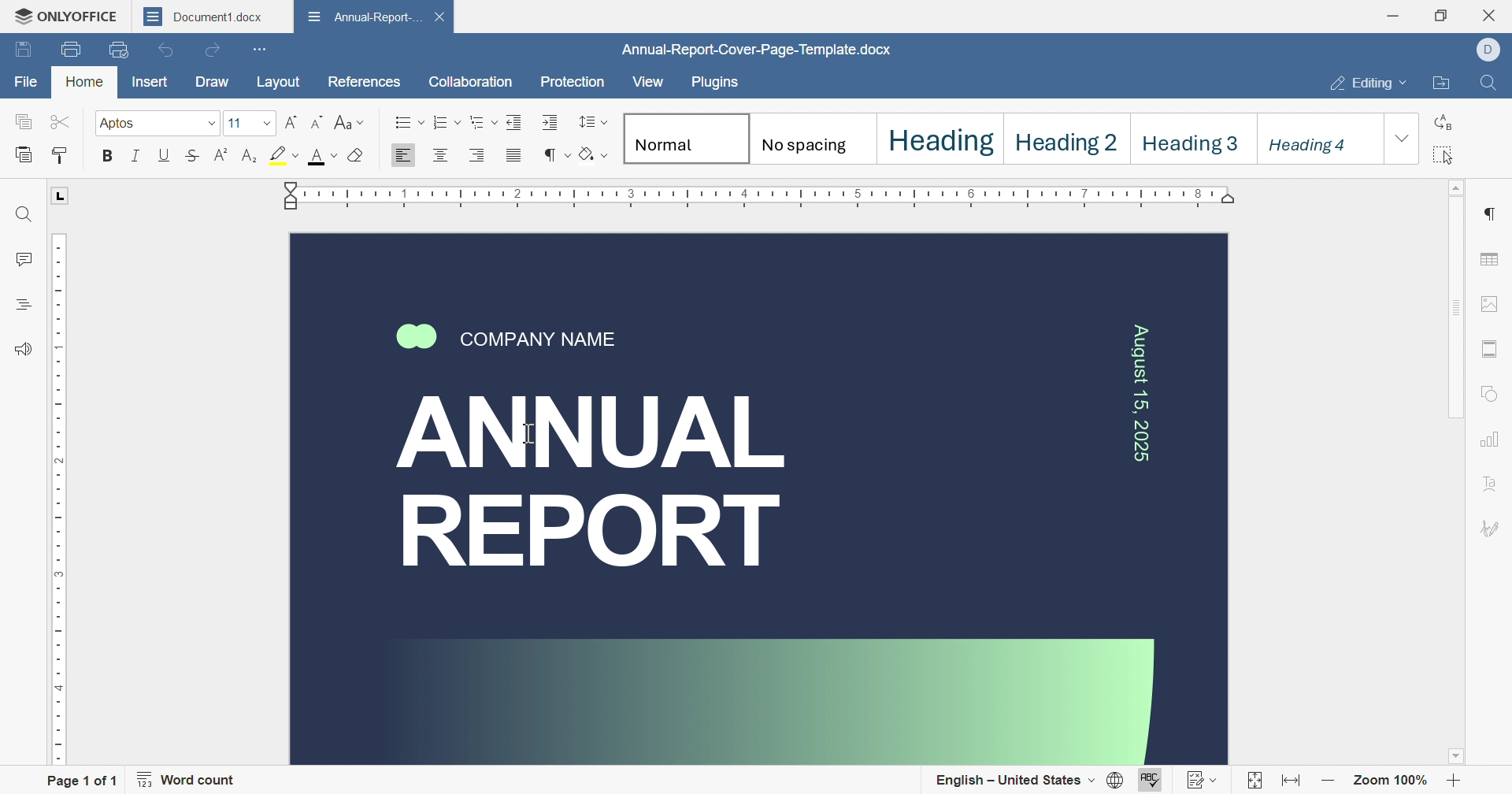 Image resolution: width=1512 pixels, height=794 pixels. I want to click on word count, so click(191, 780).